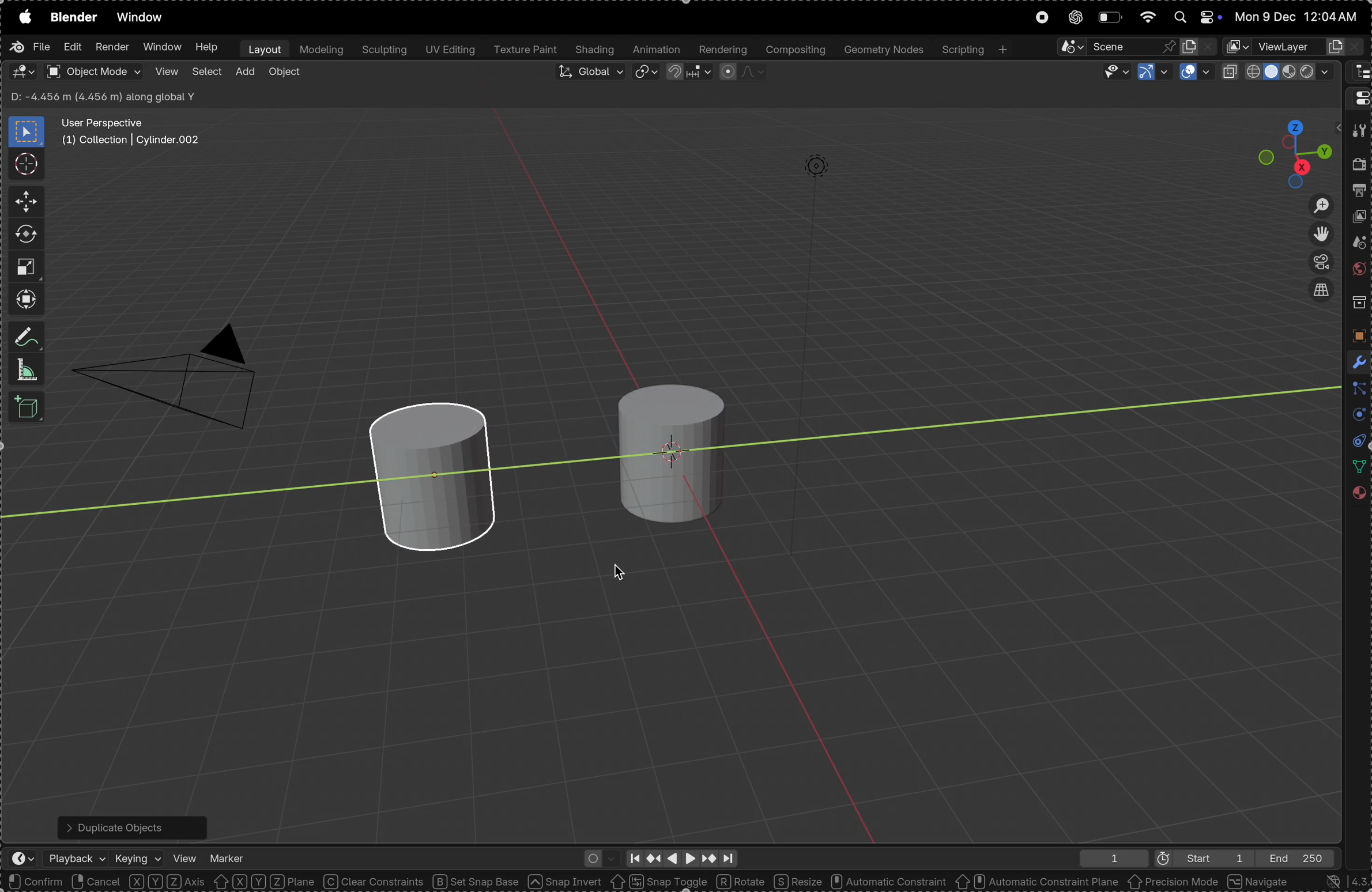 Image resolution: width=1372 pixels, height=892 pixels. I want to click on navigate, so click(1260, 881).